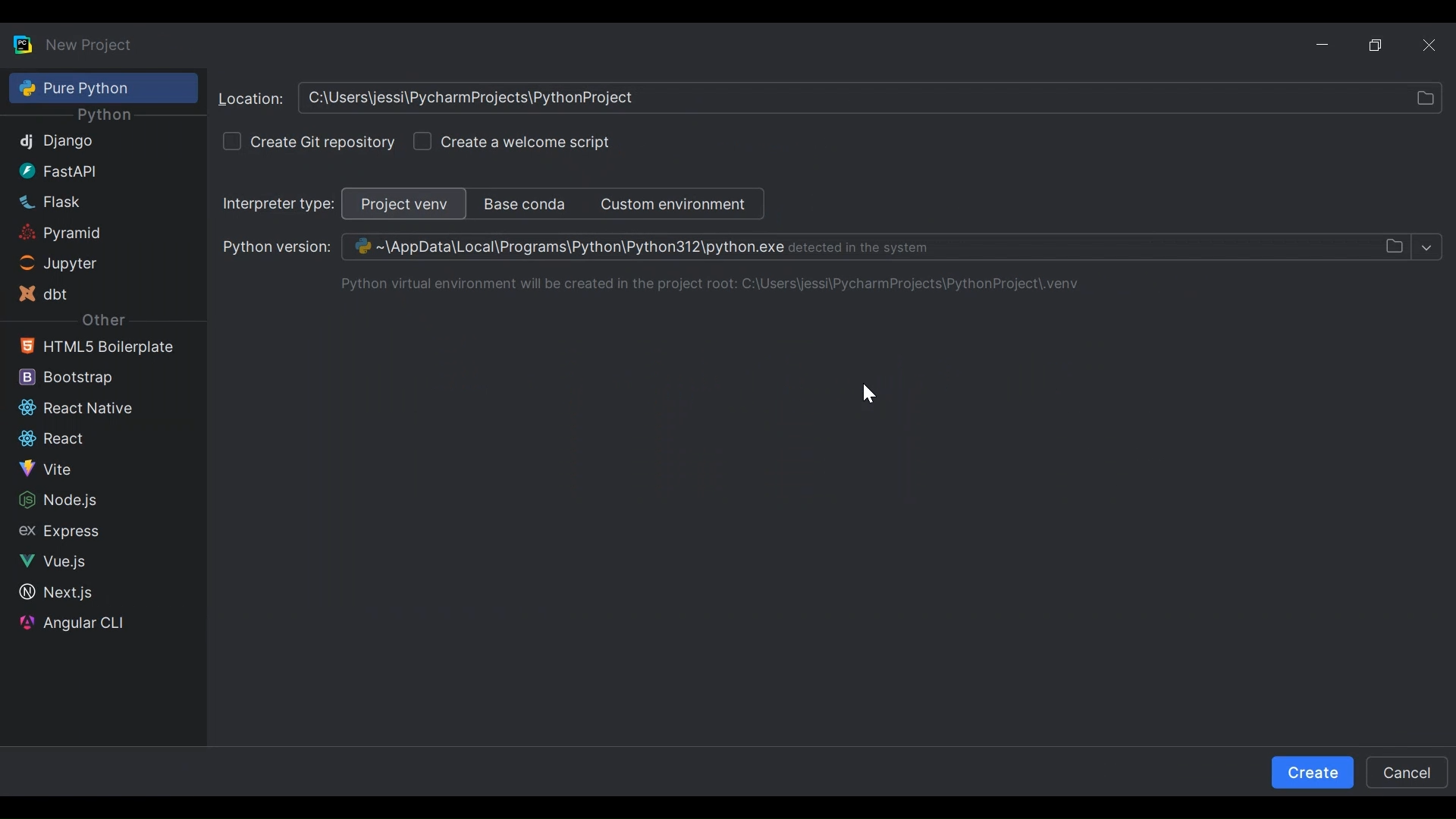 The height and width of the screenshot is (819, 1456). Describe the element at coordinates (102, 87) in the screenshot. I see `Pure Python` at that location.